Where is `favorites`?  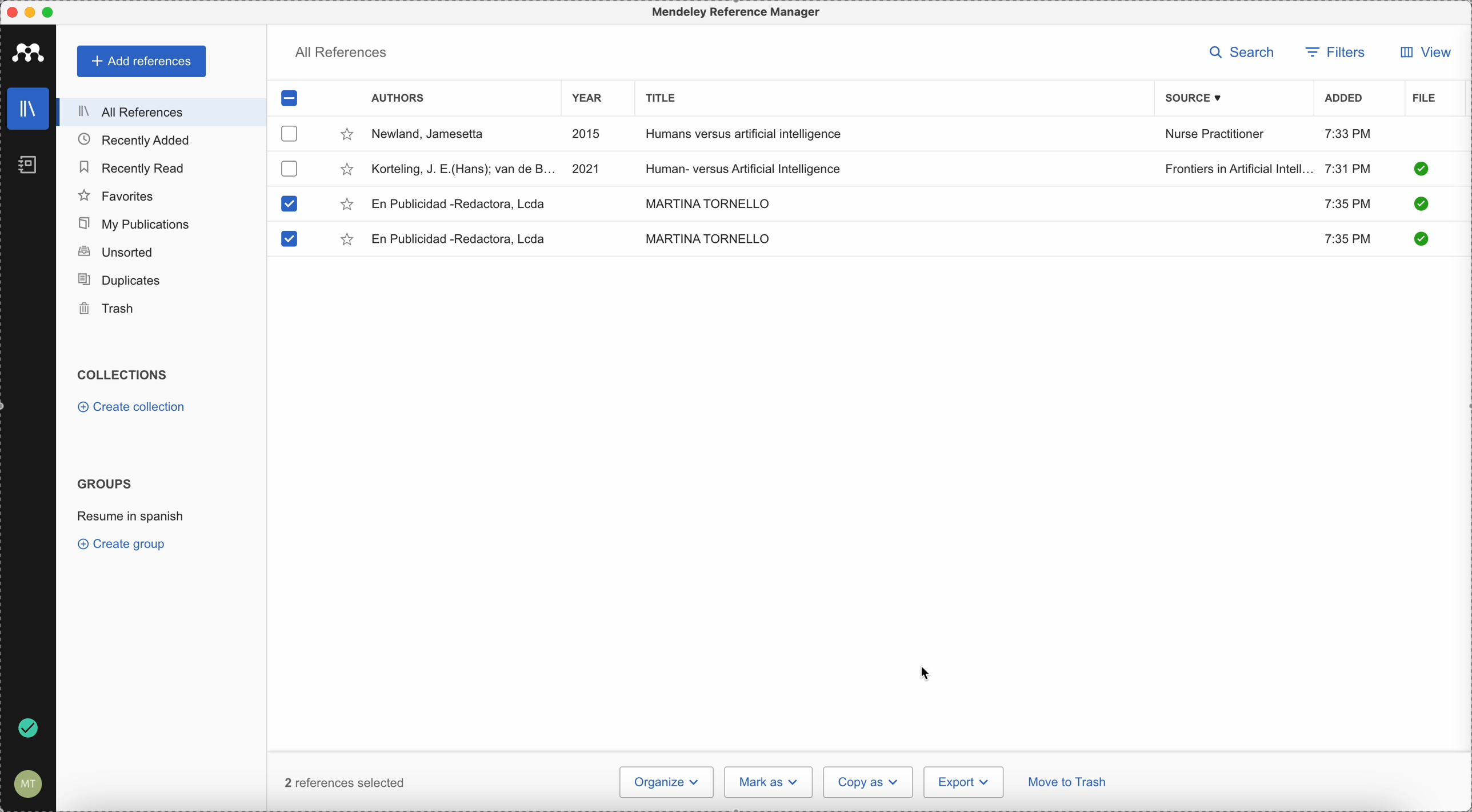 favorites is located at coordinates (117, 196).